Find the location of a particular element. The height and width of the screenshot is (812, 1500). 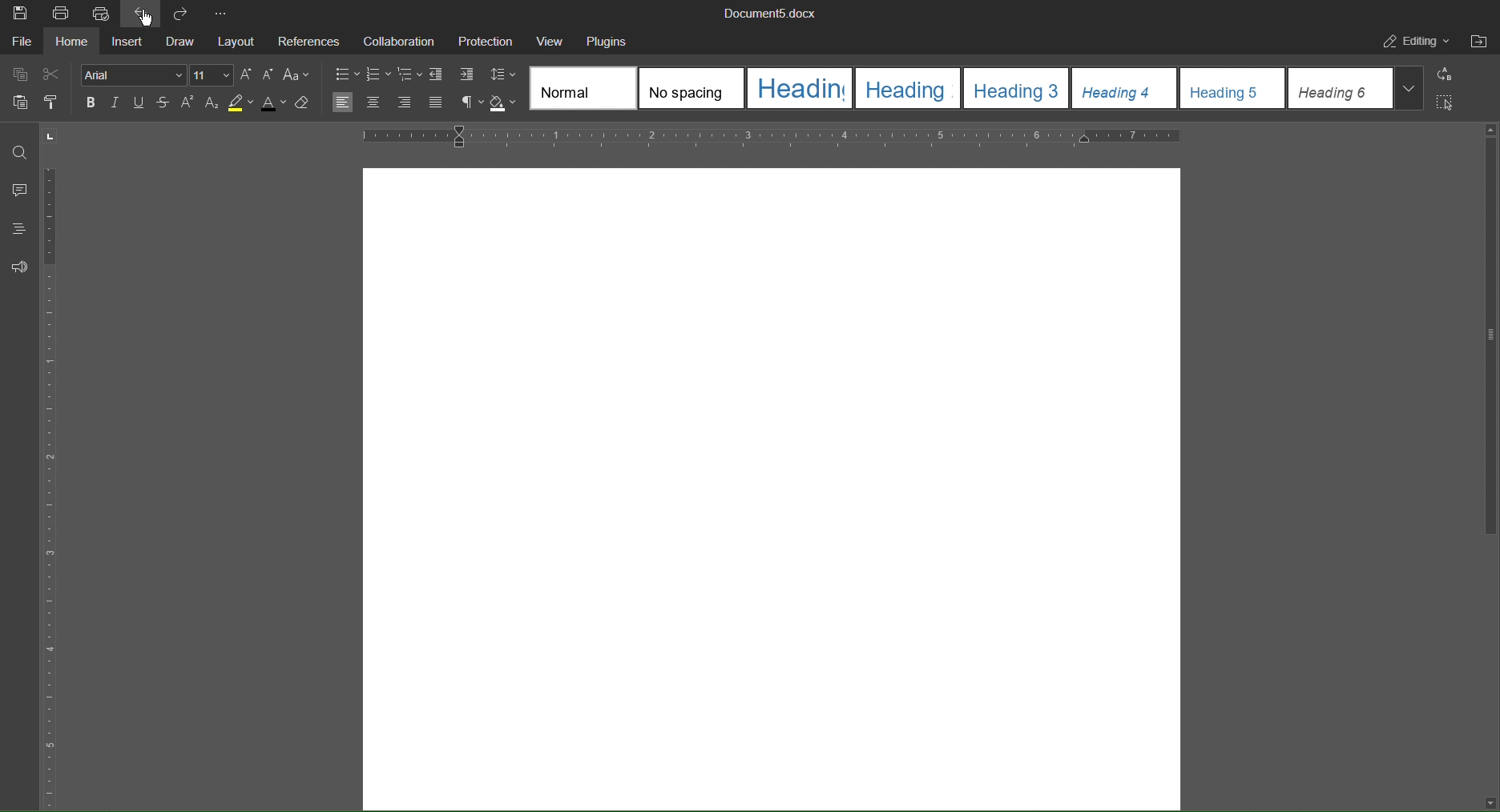

page orientation is located at coordinates (49, 135).